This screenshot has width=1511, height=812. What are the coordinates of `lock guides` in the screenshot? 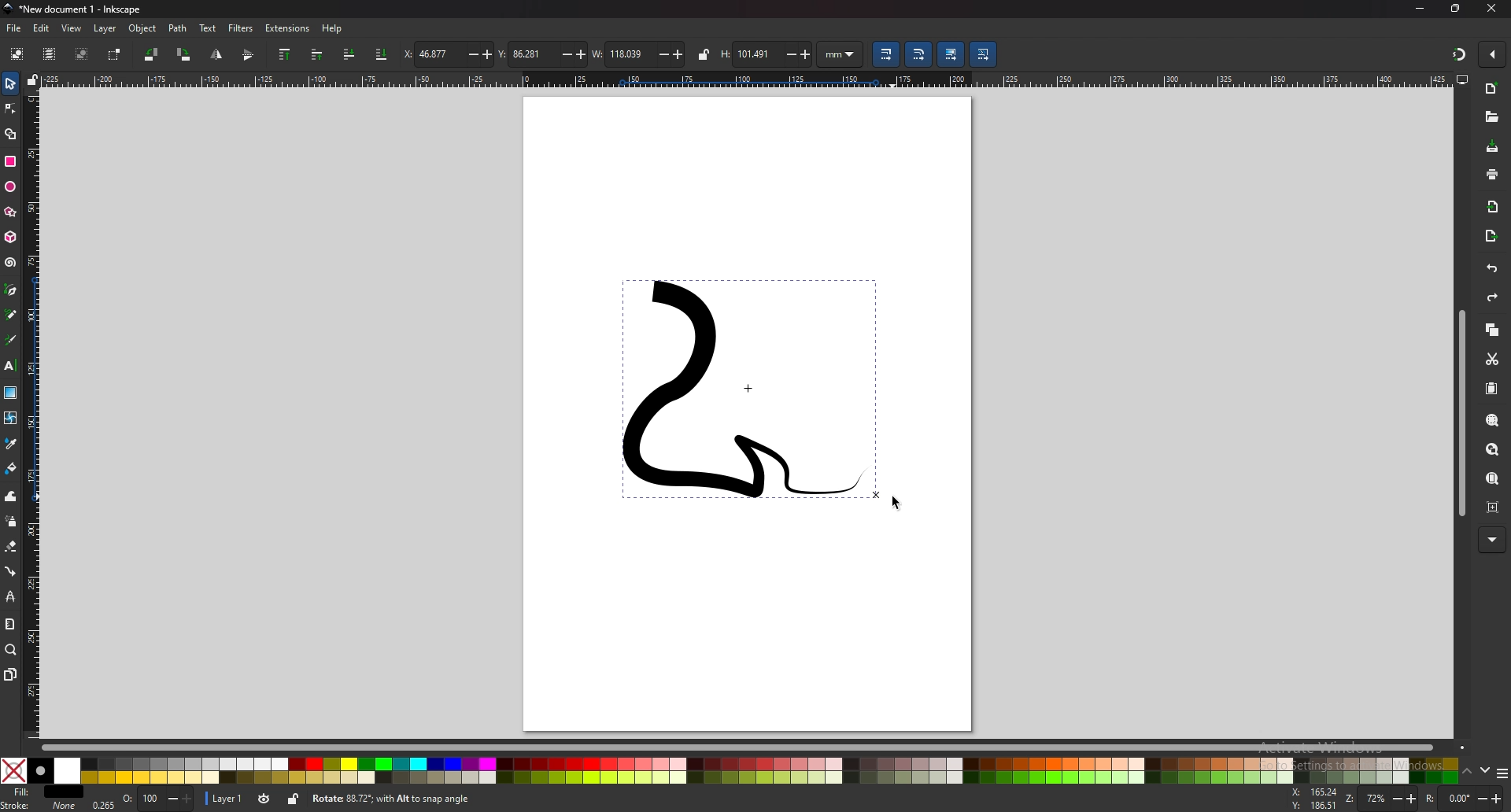 It's located at (32, 80).